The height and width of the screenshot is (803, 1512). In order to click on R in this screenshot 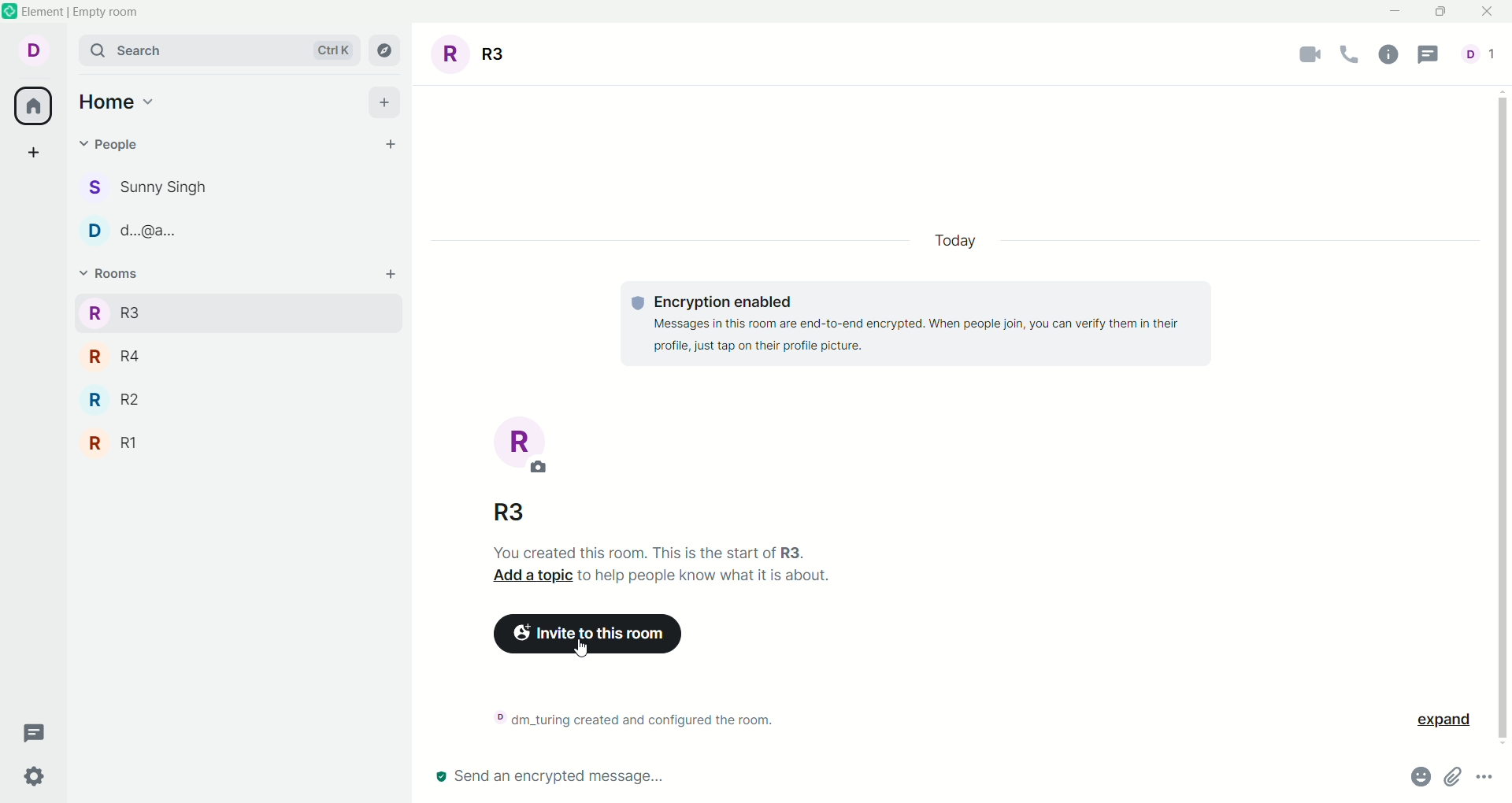, I will do `click(531, 444)`.